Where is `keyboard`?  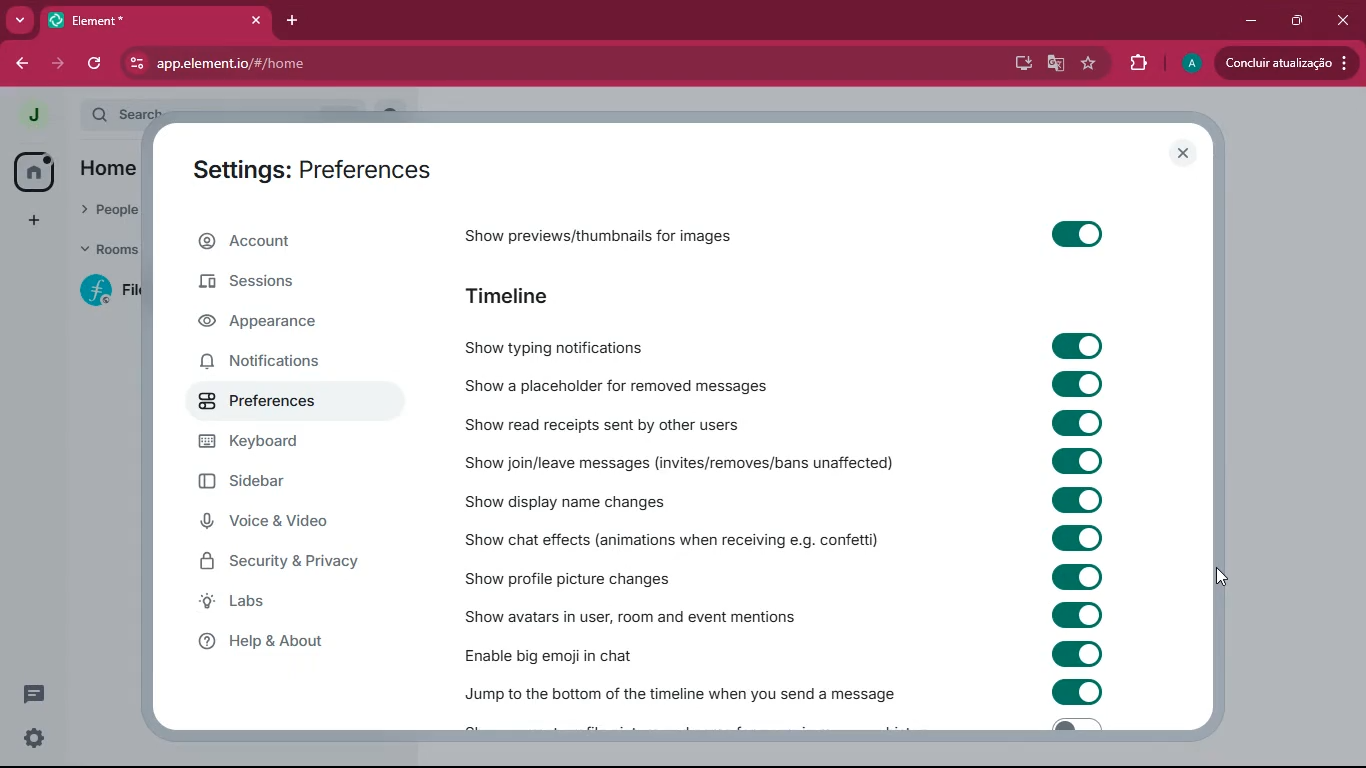
keyboard is located at coordinates (277, 445).